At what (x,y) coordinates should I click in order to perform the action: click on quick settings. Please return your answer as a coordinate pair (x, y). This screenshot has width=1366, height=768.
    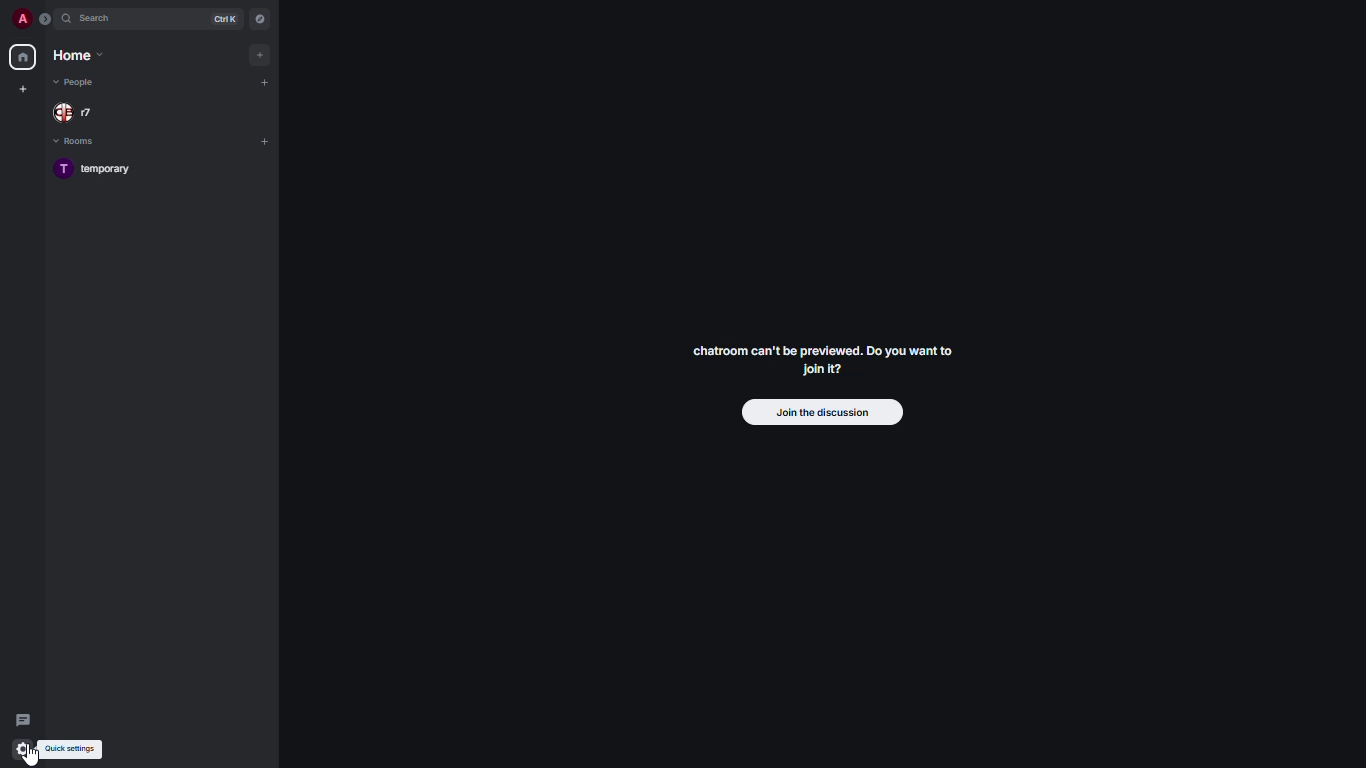
    Looking at the image, I should click on (22, 744).